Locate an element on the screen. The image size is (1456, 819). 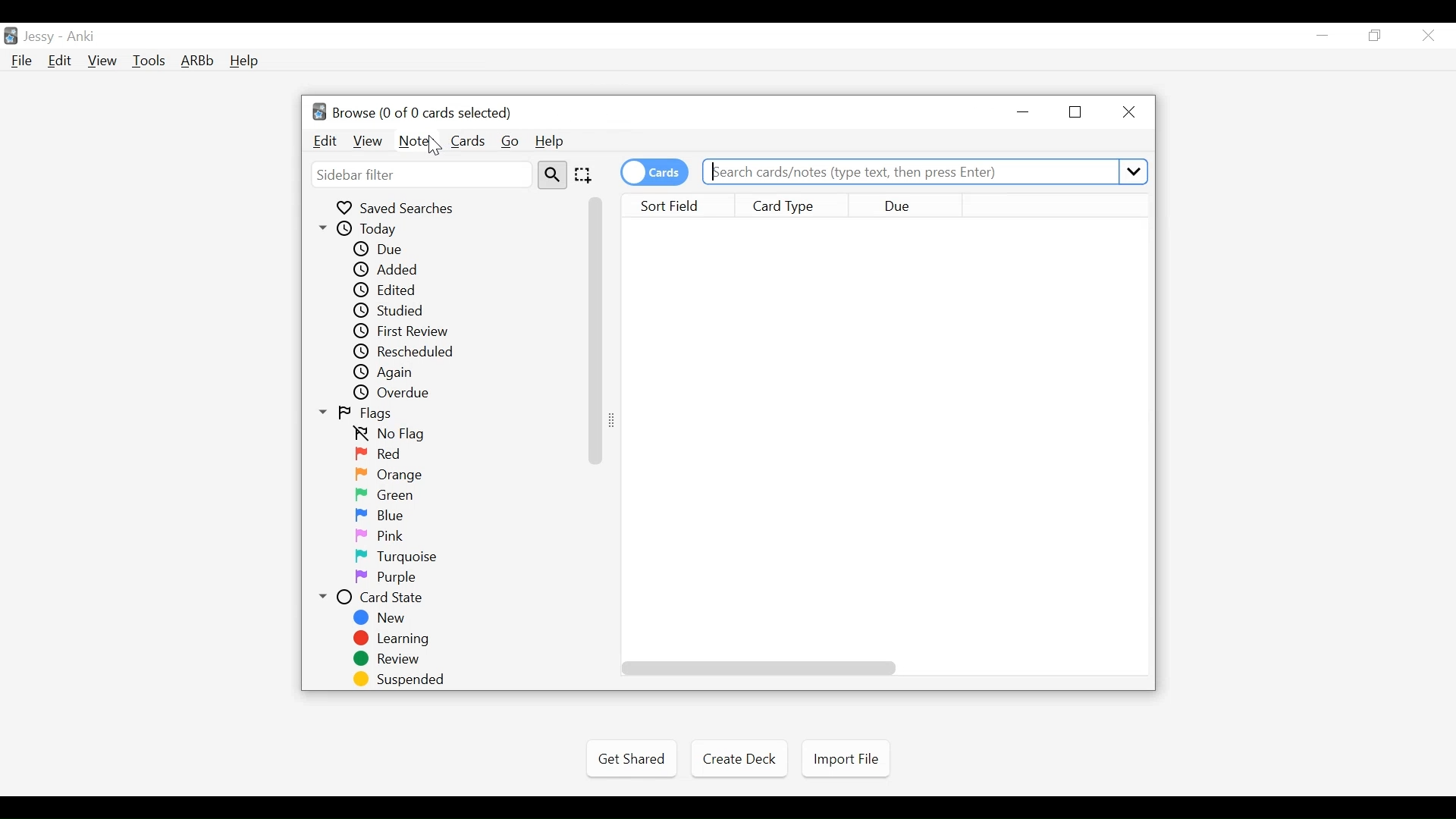
Edit is located at coordinates (58, 62).